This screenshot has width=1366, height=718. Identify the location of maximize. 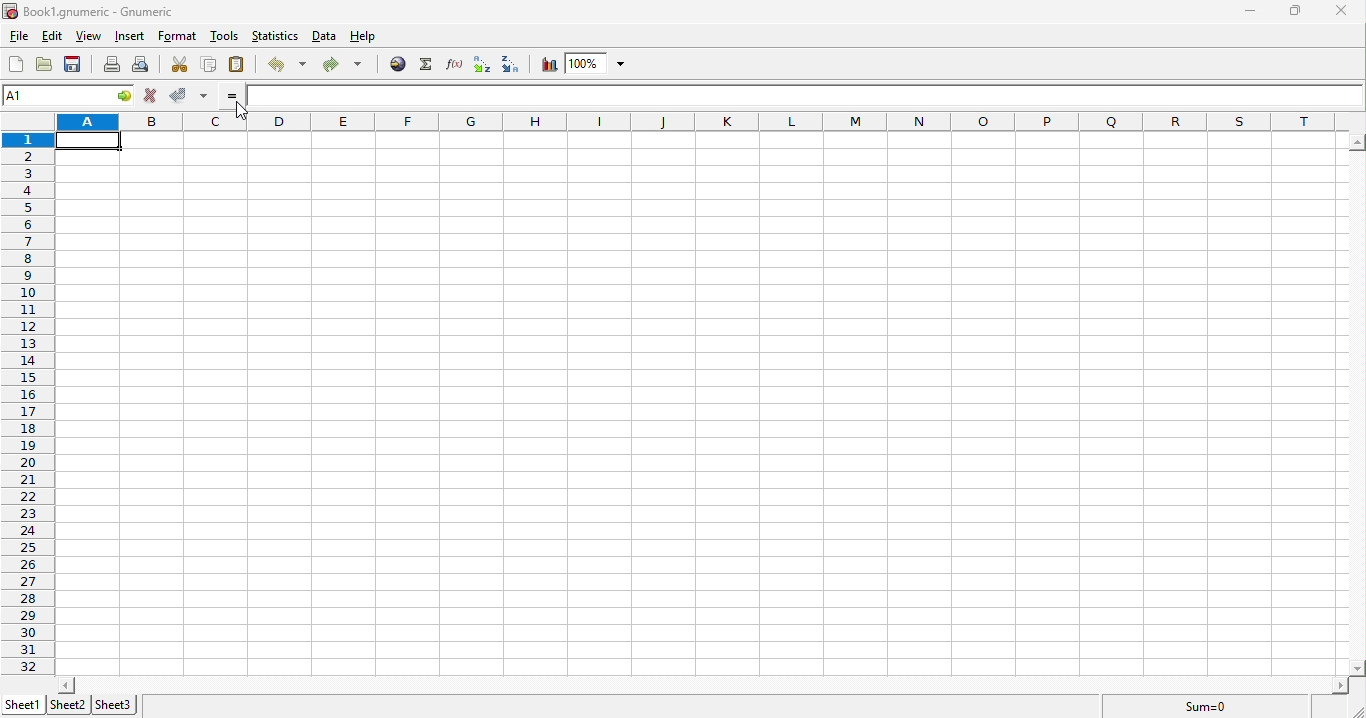
(1294, 11).